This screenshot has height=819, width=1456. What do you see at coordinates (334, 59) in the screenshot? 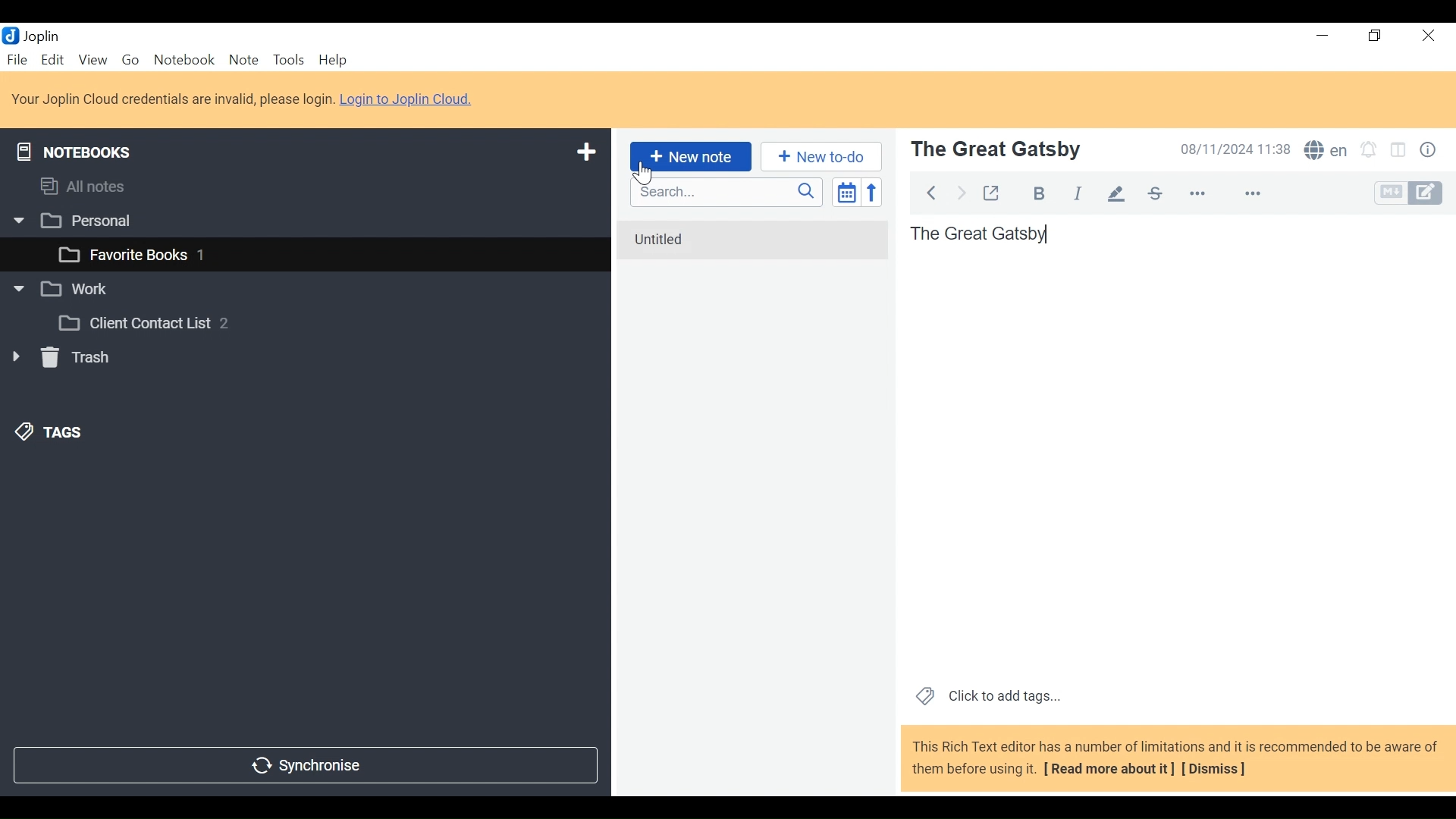
I see `` at bounding box center [334, 59].